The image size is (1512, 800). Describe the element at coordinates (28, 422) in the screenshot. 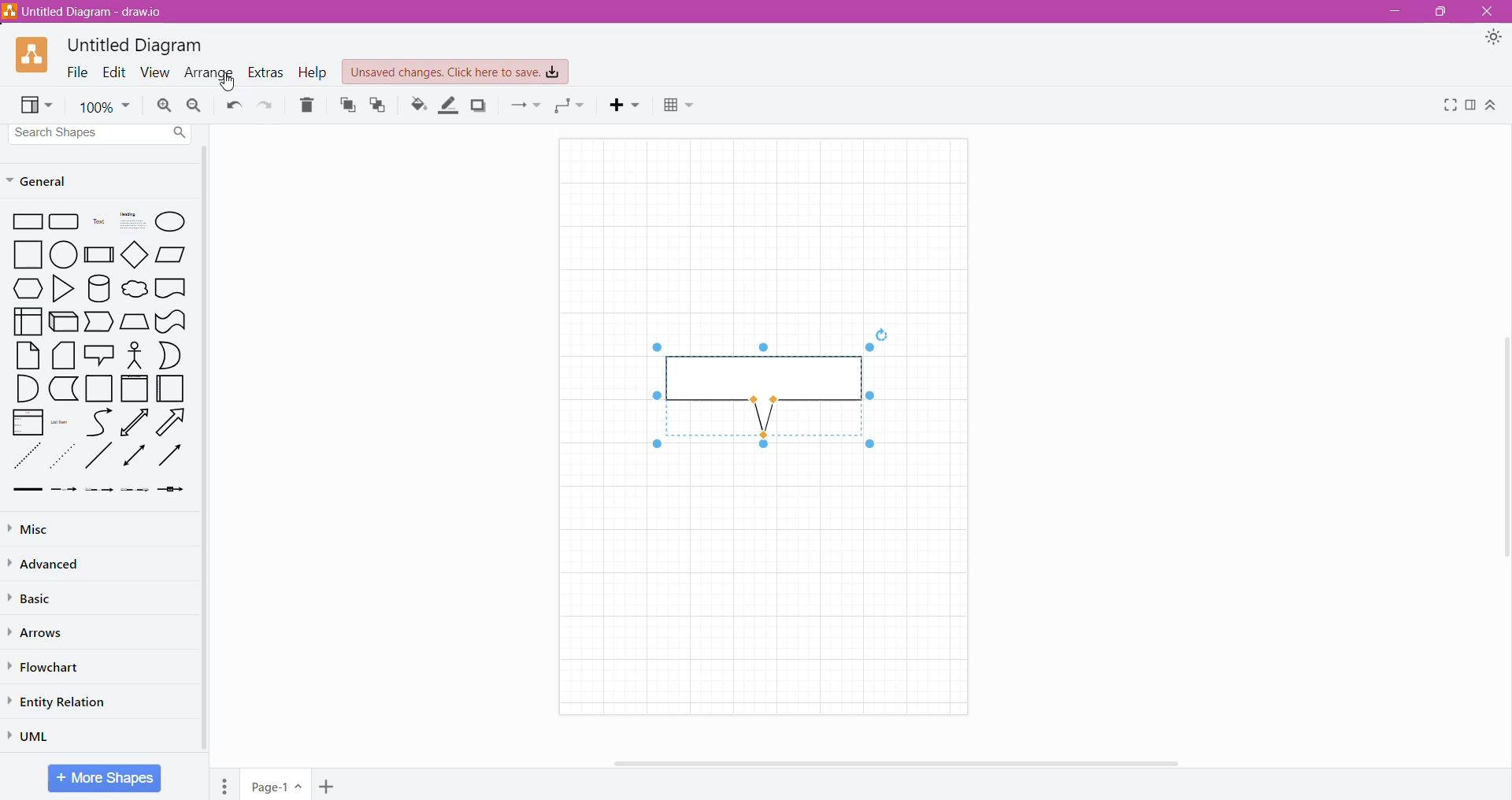

I see `List Box` at that location.